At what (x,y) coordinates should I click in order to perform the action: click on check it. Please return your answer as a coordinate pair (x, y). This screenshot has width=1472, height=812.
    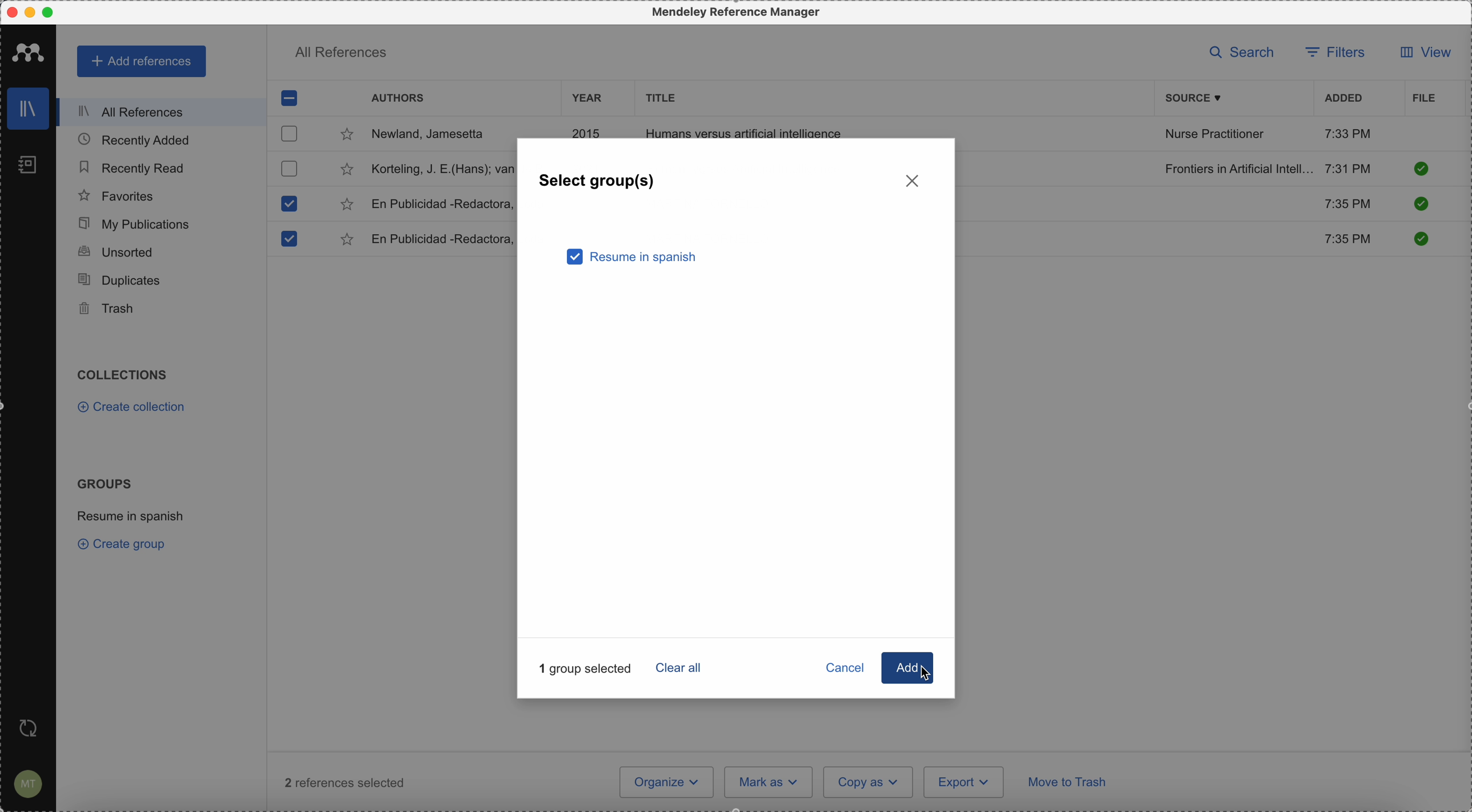
    Looking at the image, I should click on (1421, 169).